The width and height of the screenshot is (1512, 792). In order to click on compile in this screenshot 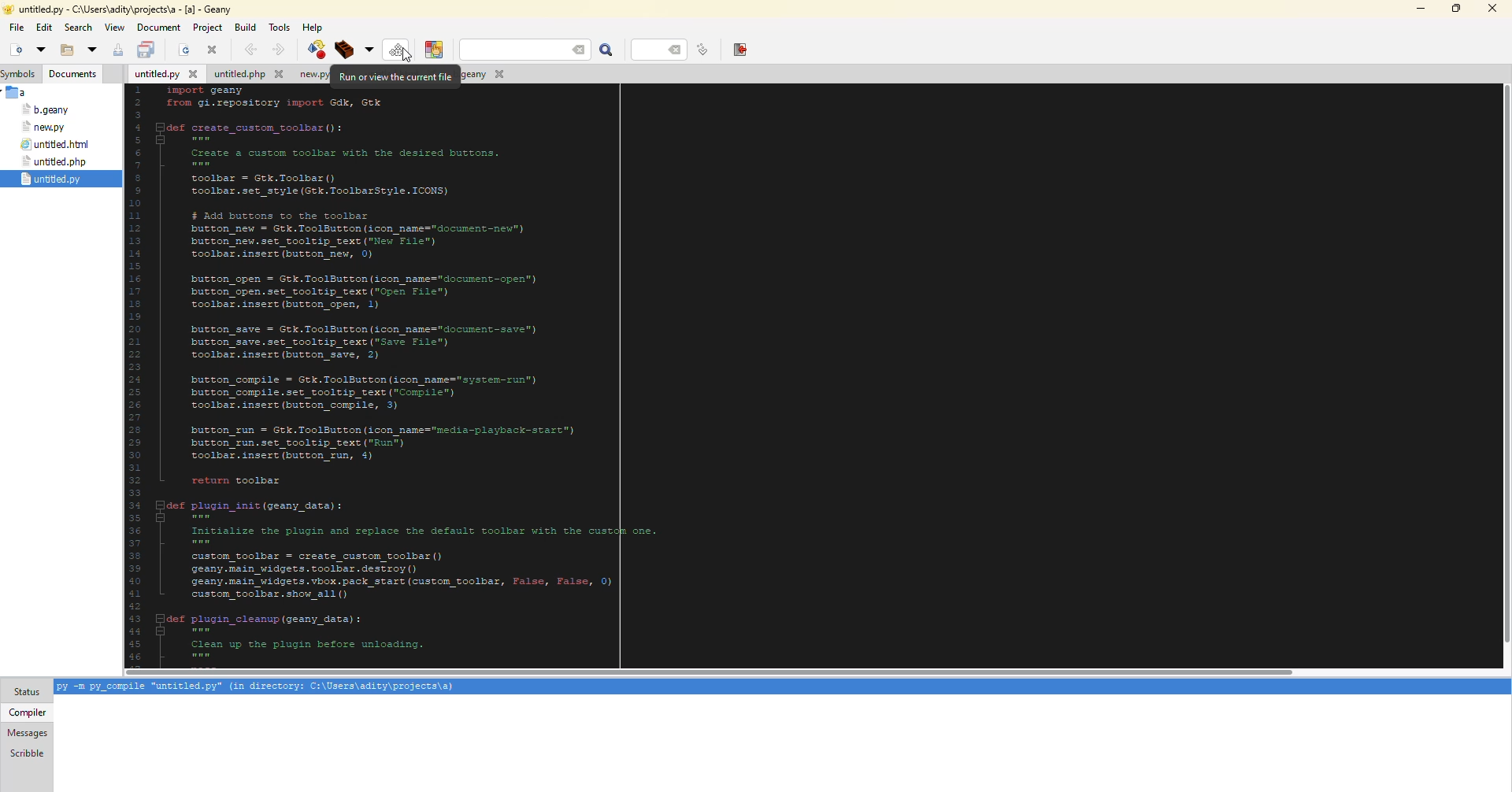, I will do `click(319, 48)`.